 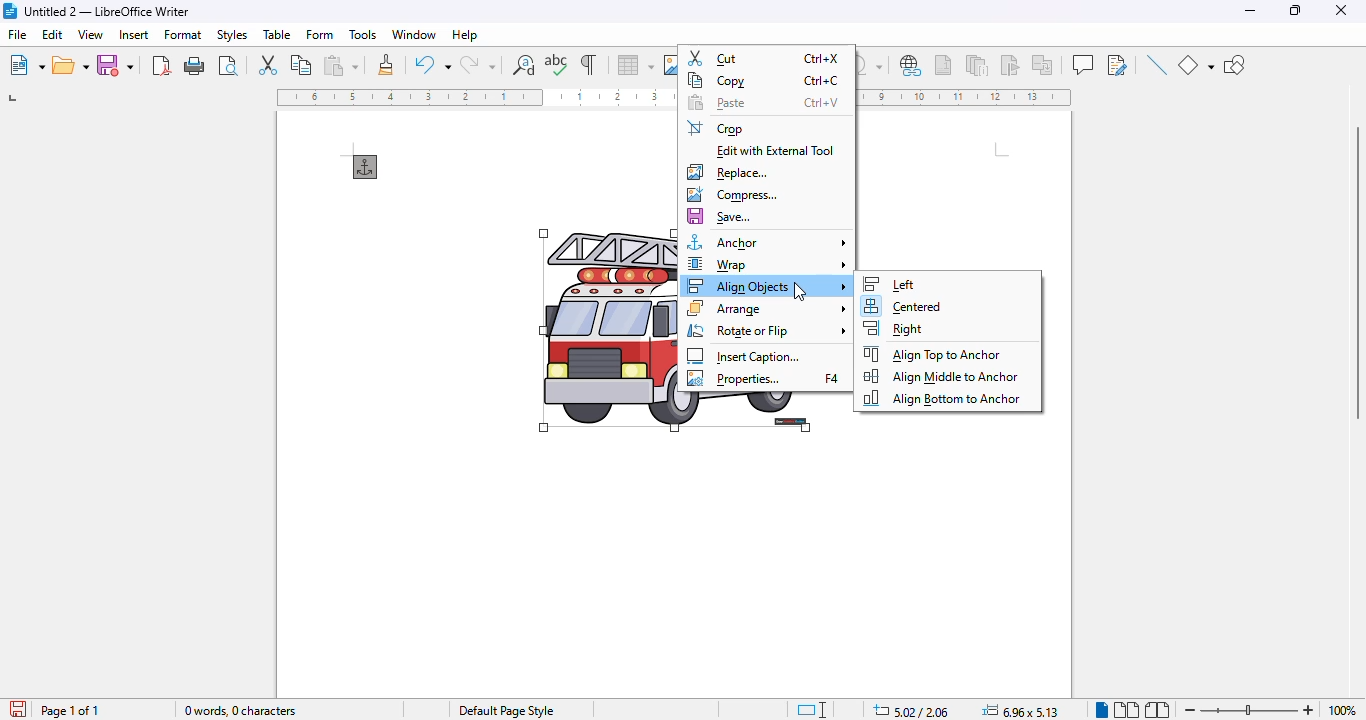 I want to click on table, so click(x=277, y=34).